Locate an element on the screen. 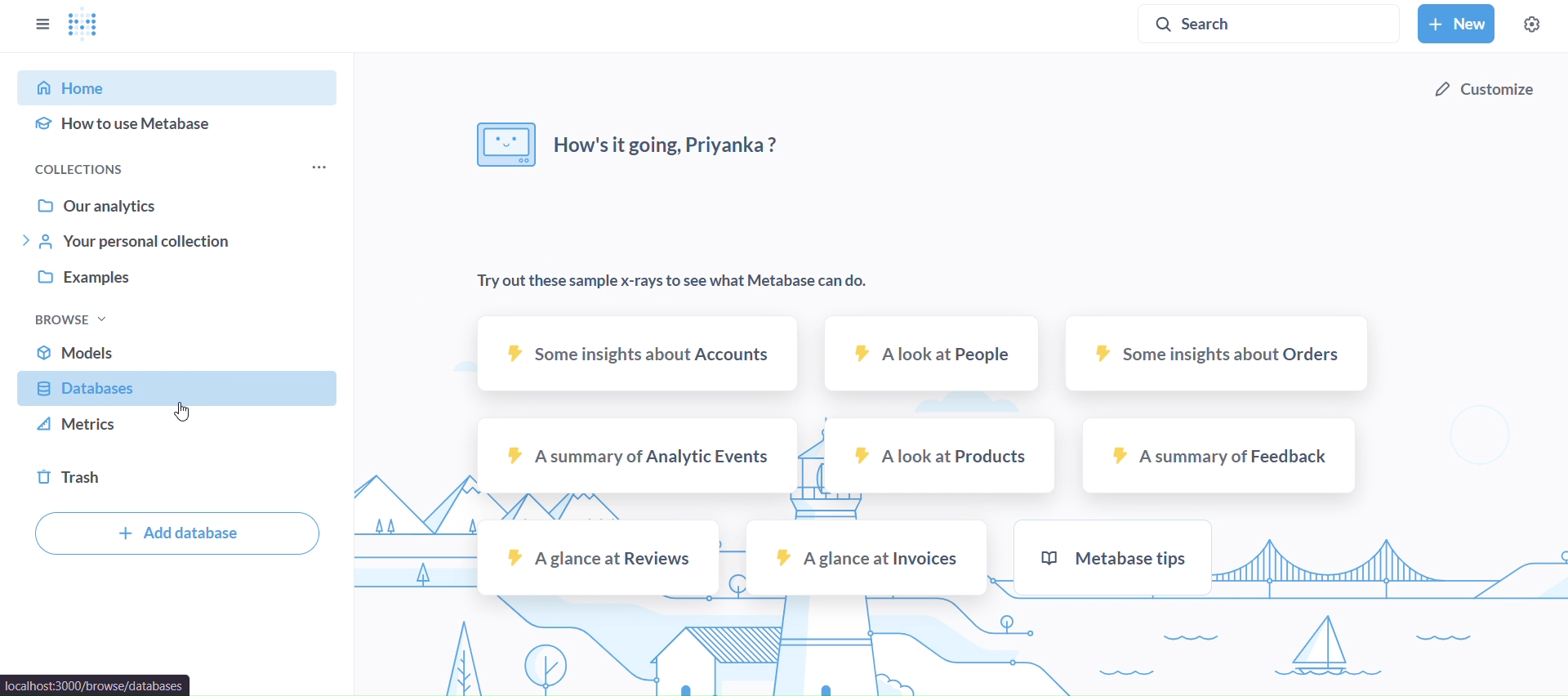 This screenshot has height=696, width=1568. collections is located at coordinates (103, 166).